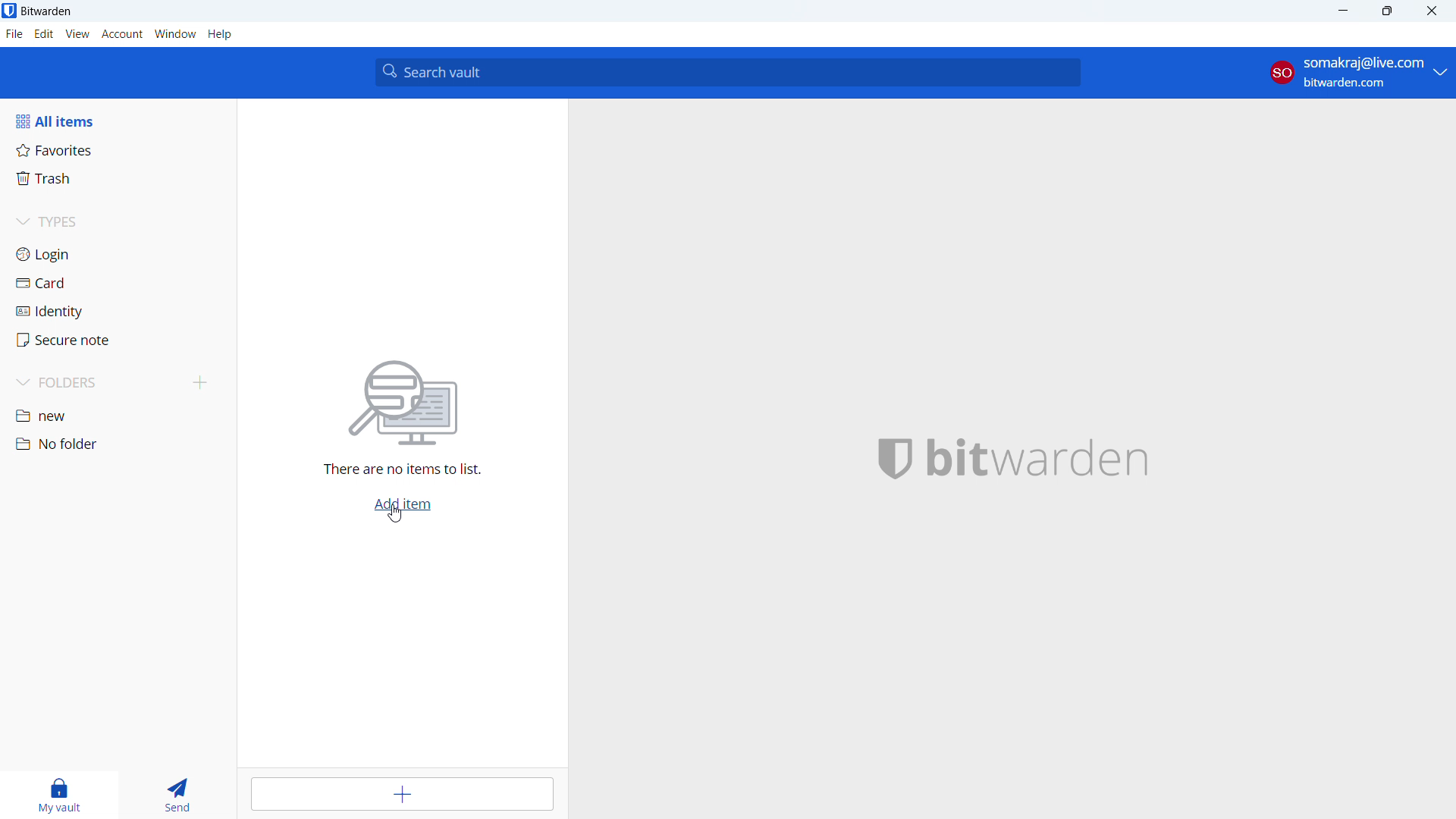 This screenshot has height=819, width=1456. Describe the element at coordinates (44, 34) in the screenshot. I see `edit` at that location.